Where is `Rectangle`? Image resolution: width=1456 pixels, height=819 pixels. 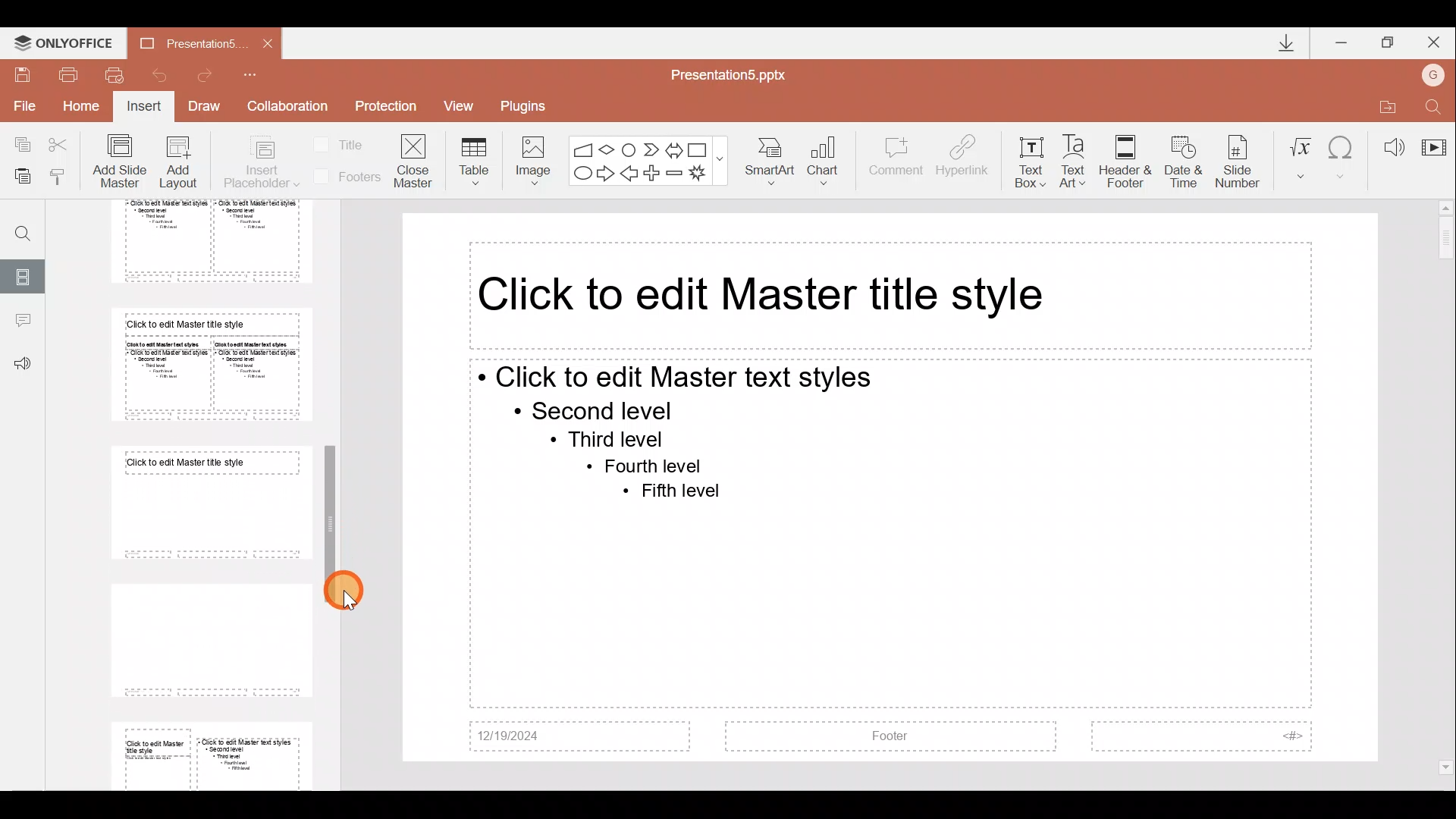 Rectangle is located at coordinates (699, 148).